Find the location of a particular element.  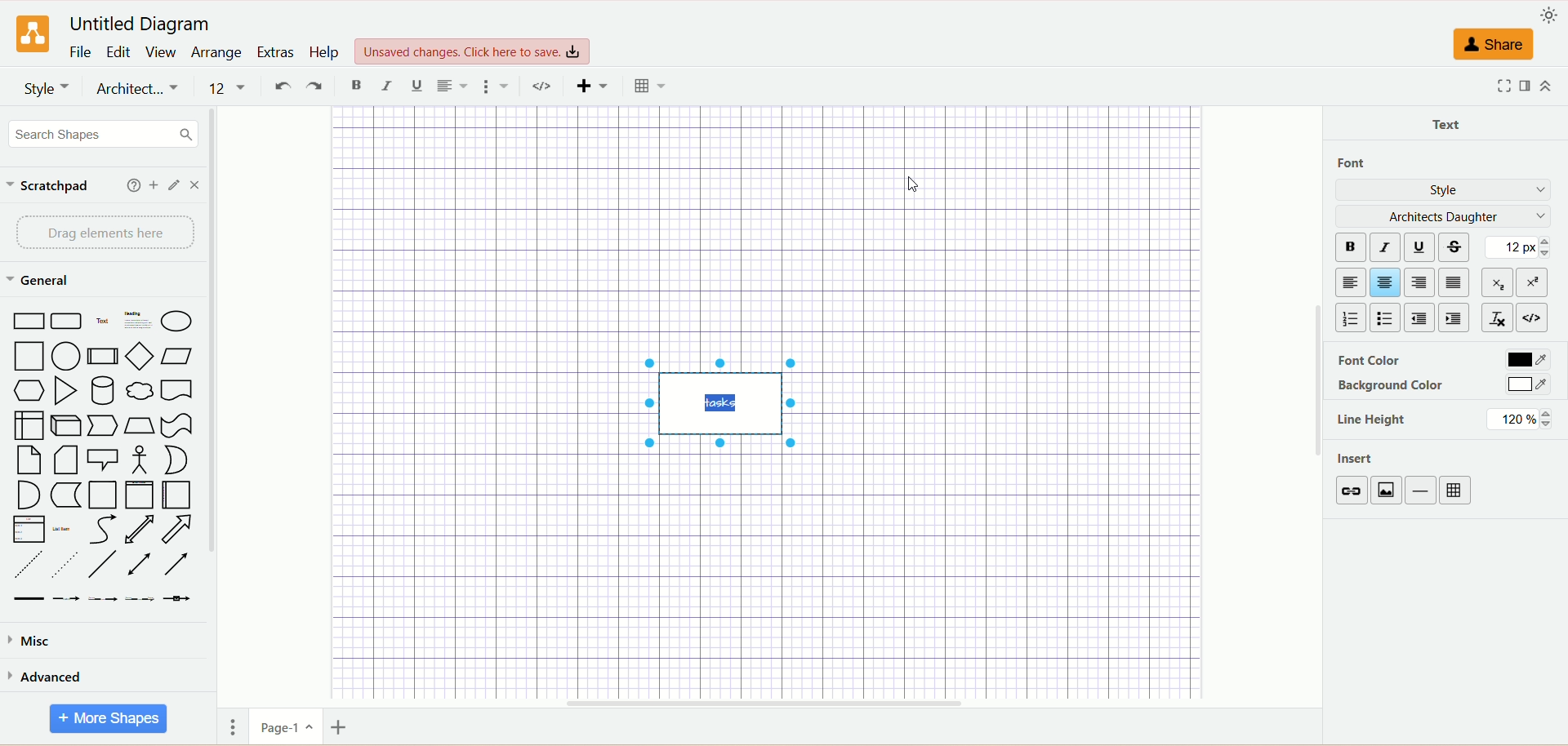

misc is located at coordinates (33, 642).